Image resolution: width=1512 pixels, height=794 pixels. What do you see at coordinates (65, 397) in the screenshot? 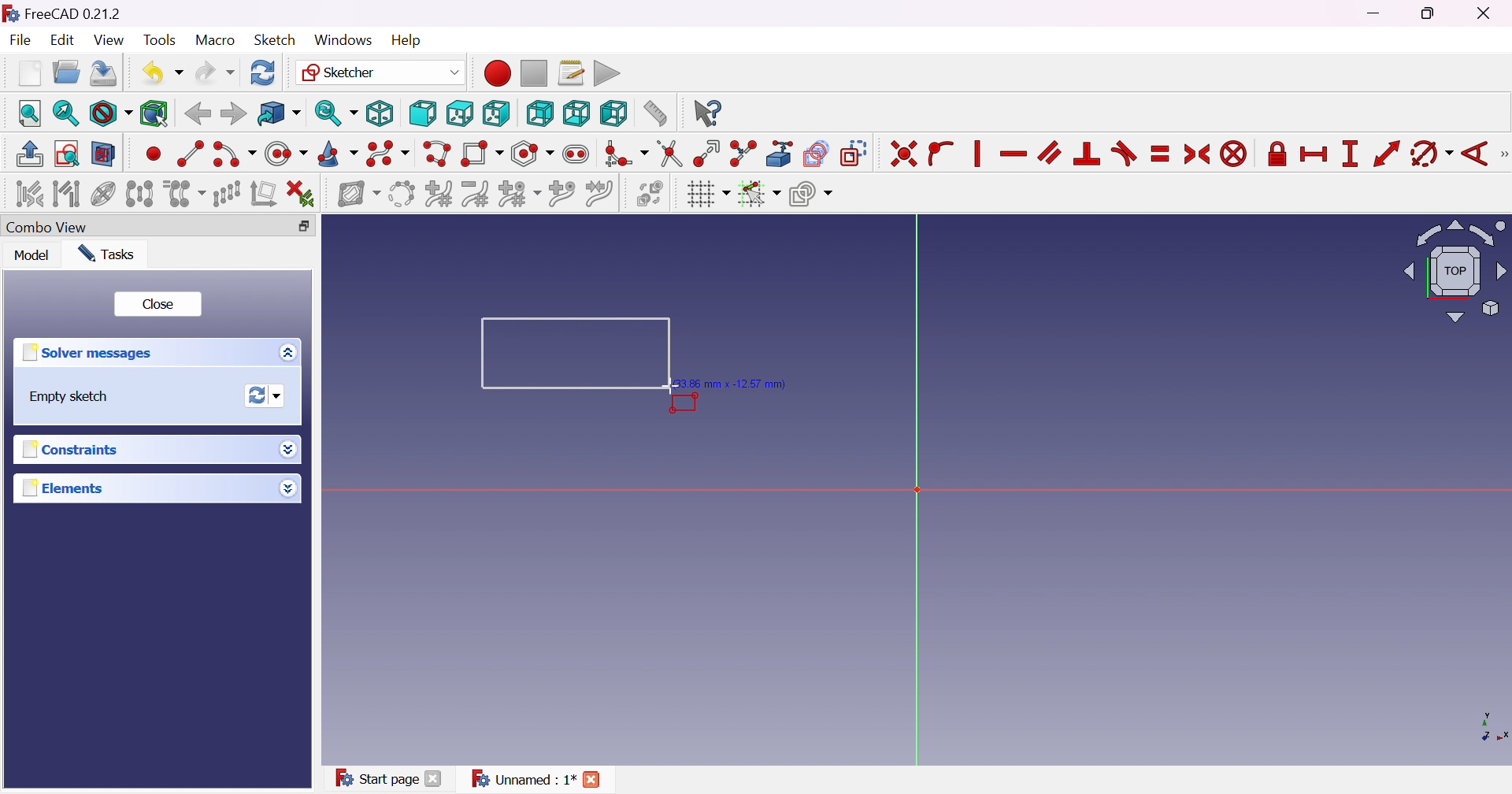
I see `Empty sketch` at bounding box center [65, 397].